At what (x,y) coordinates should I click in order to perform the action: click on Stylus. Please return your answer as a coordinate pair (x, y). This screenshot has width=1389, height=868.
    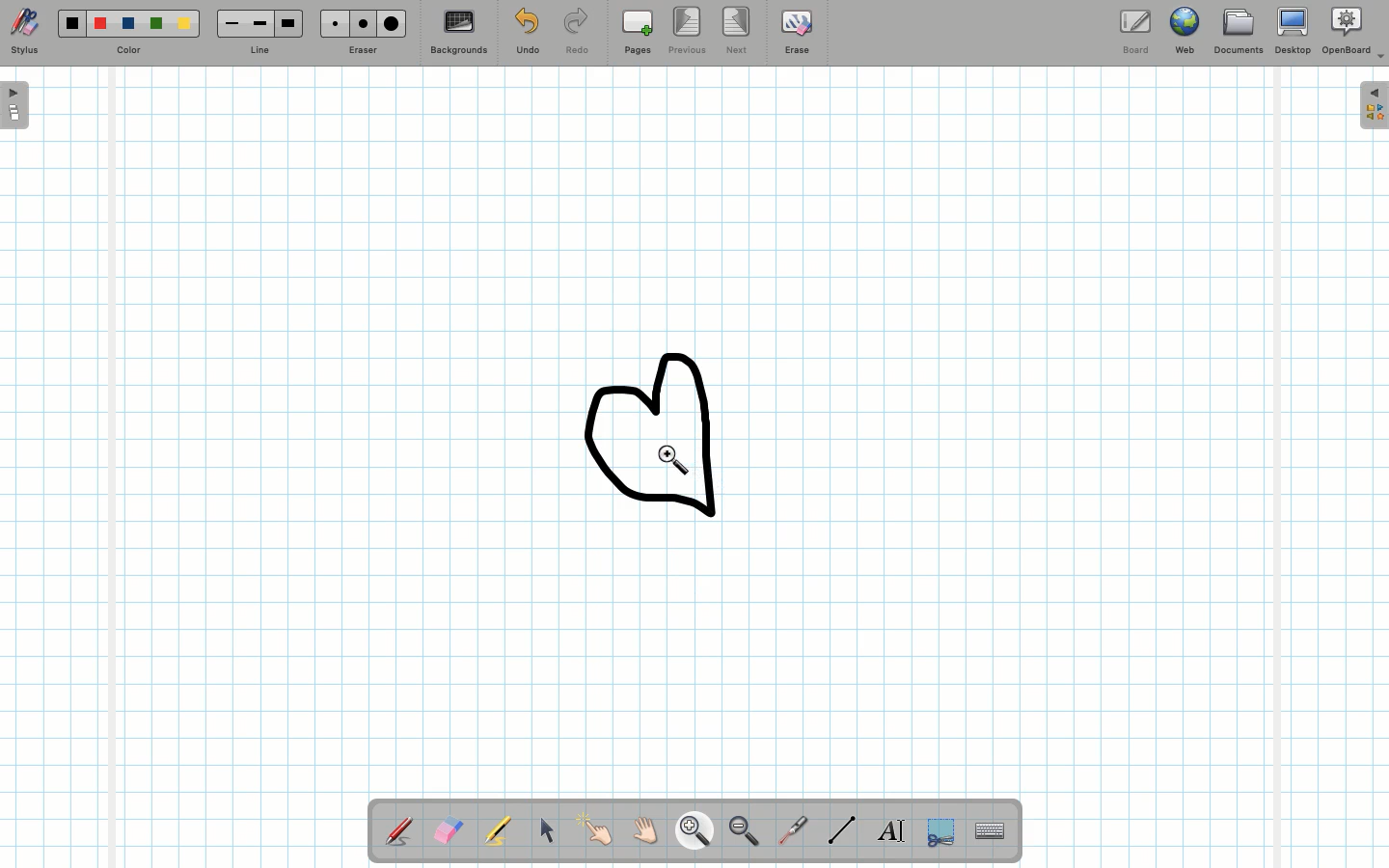
    Looking at the image, I should click on (398, 830).